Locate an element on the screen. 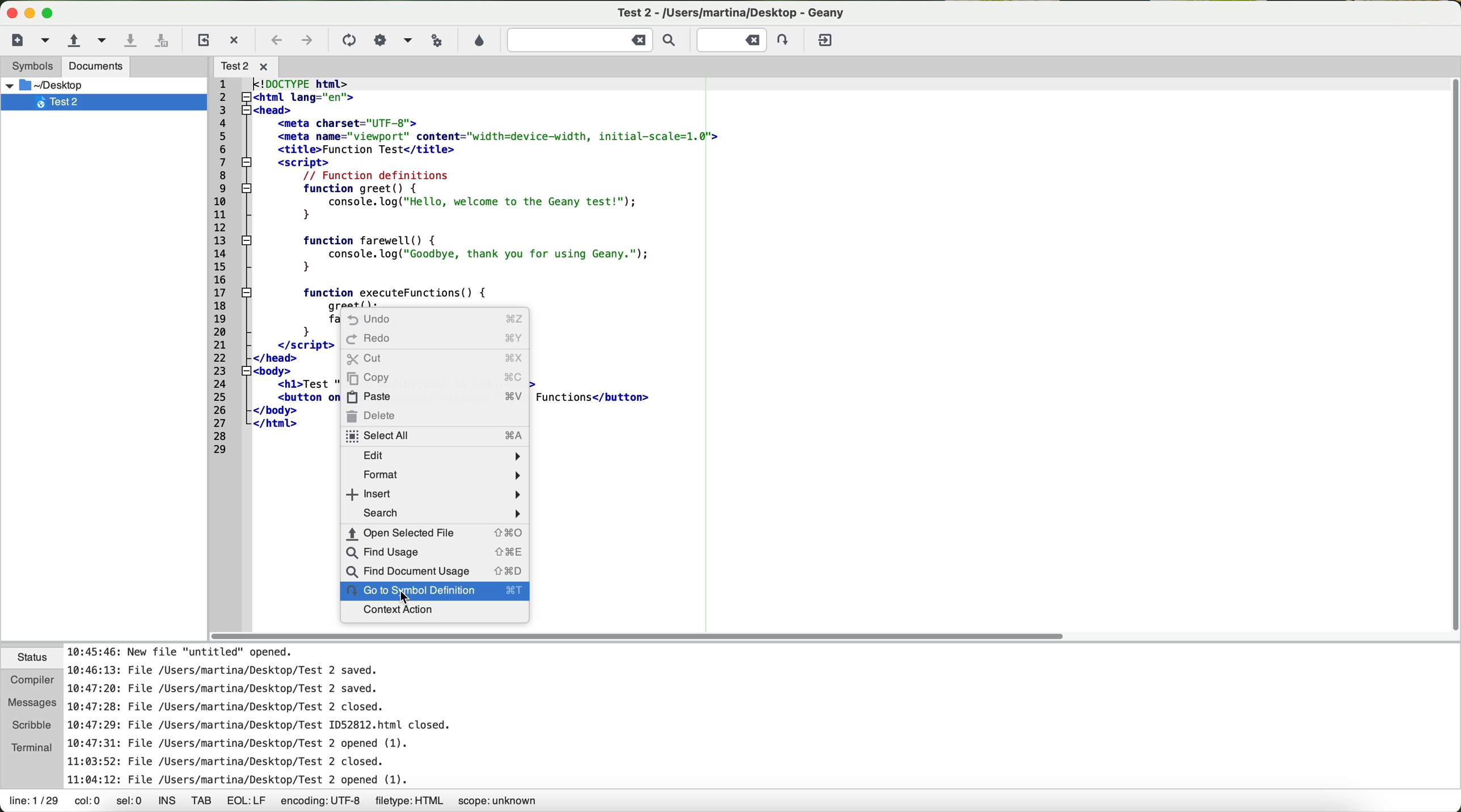 The height and width of the screenshot is (812, 1461). save all open files is located at coordinates (162, 43).